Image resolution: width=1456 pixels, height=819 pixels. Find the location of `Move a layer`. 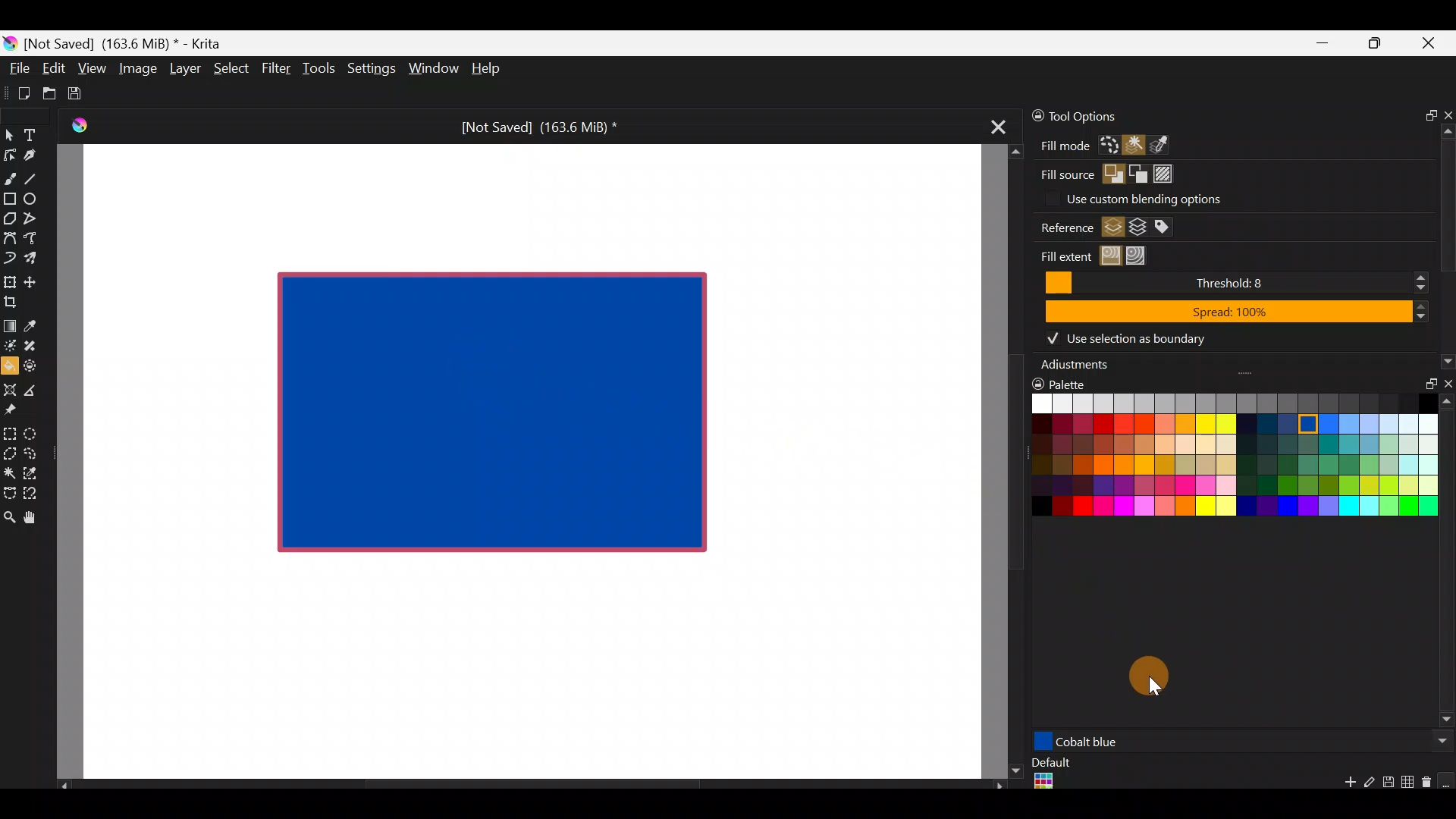

Move a layer is located at coordinates (36, 281).